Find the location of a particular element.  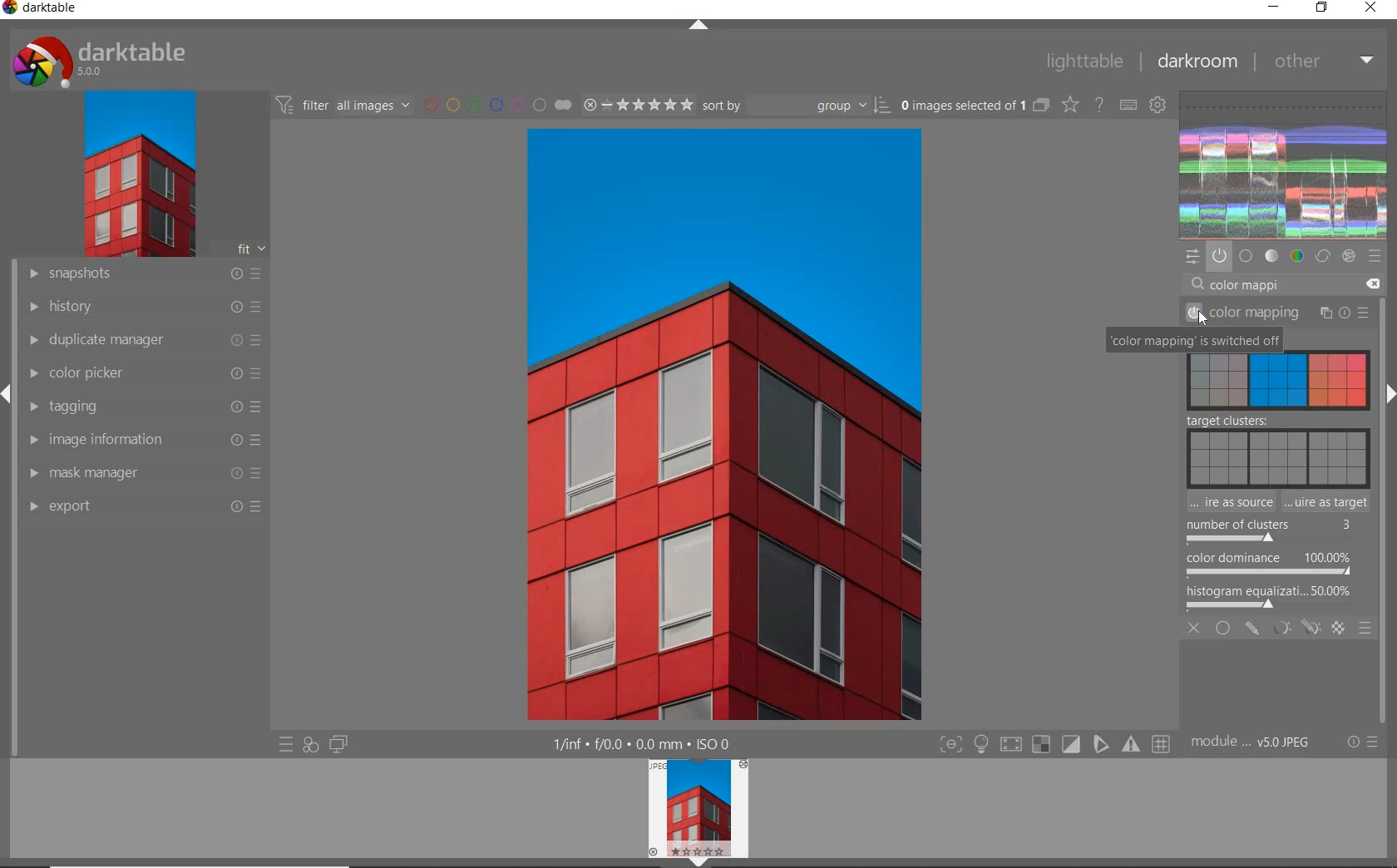

ANALYZE THIS IMAGE AS TARGET IMAGE is located at coordinates (1328, 502).